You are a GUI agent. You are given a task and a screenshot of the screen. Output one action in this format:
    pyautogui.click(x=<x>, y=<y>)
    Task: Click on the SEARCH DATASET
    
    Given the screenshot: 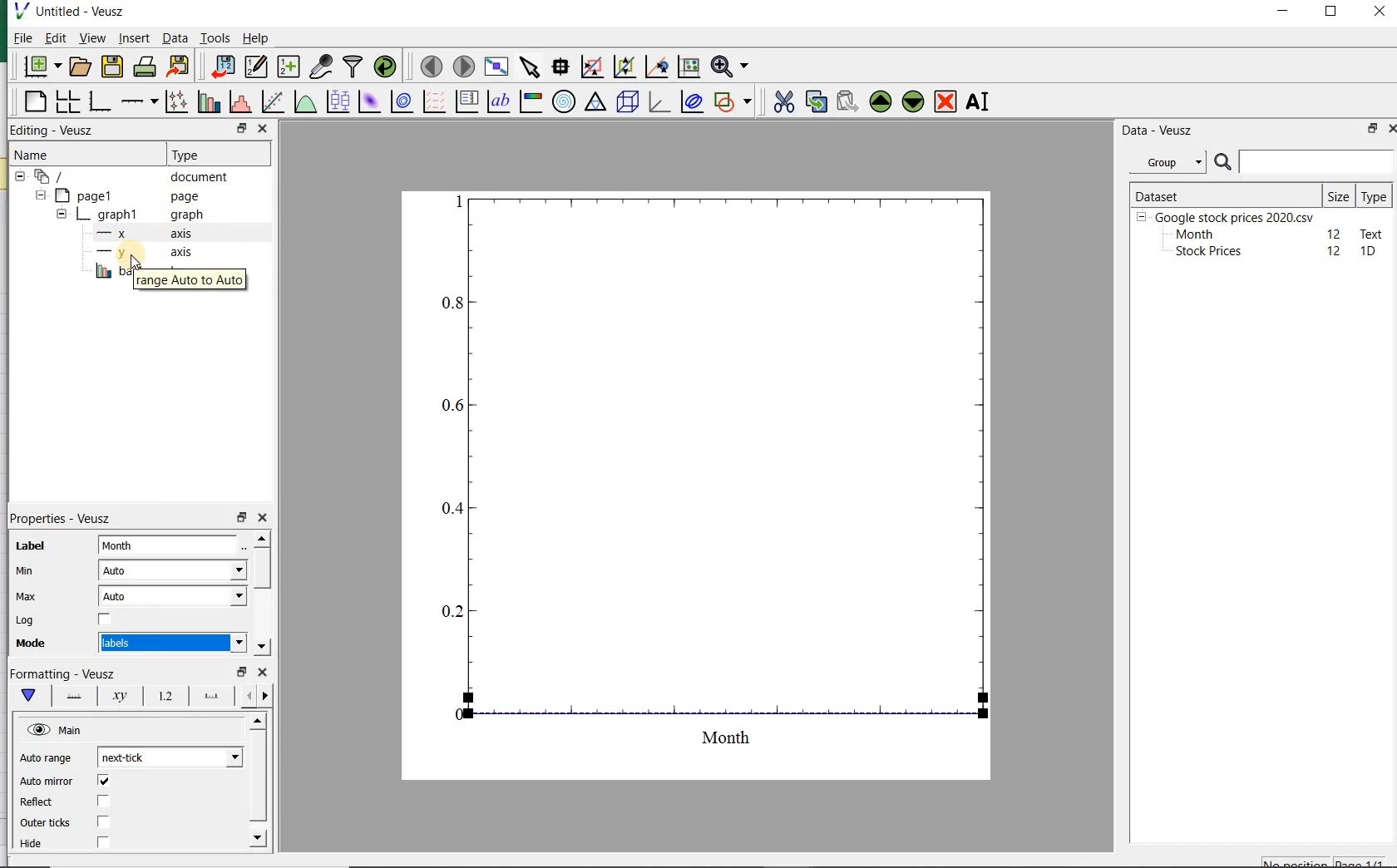 What is the action you would take?
    pyautogui.click(x=1304, y=161)
    